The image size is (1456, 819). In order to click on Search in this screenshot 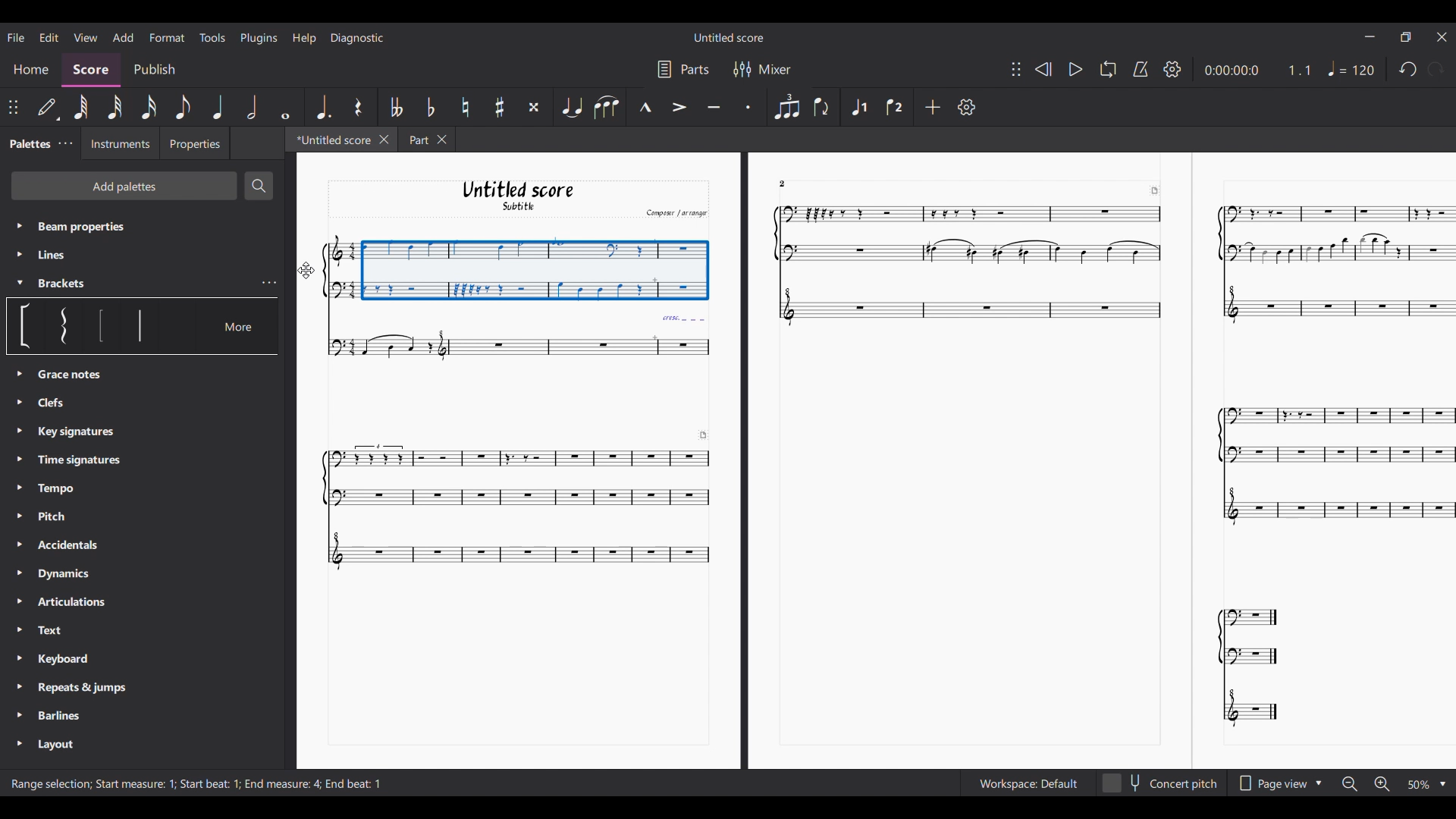, I will do `click(259, 186)`.